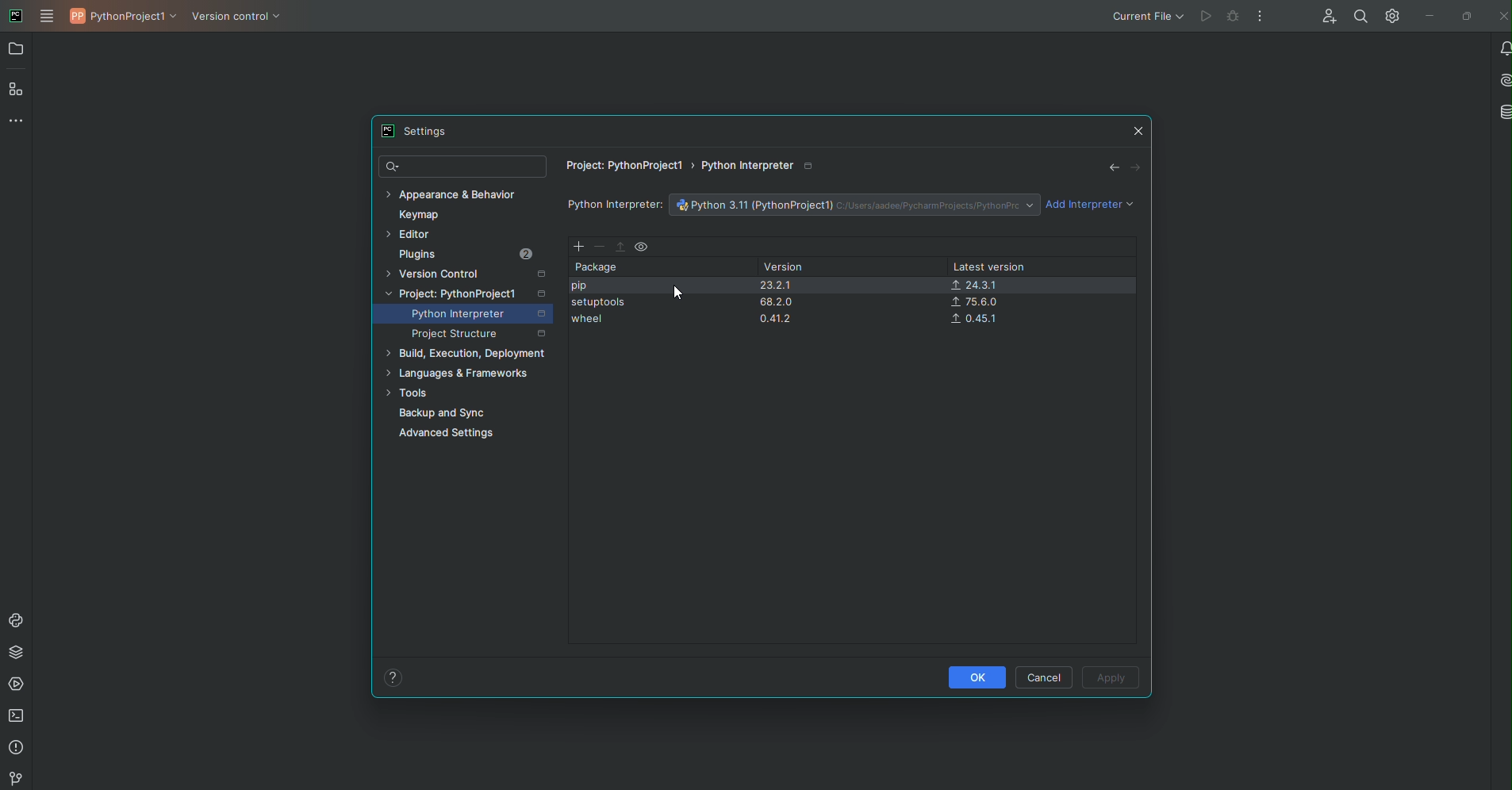 This screenshot has height=790, width=1512. Describe the element at coordinates (601, 304) in the screenshot. I see `Setuptools` at that location.